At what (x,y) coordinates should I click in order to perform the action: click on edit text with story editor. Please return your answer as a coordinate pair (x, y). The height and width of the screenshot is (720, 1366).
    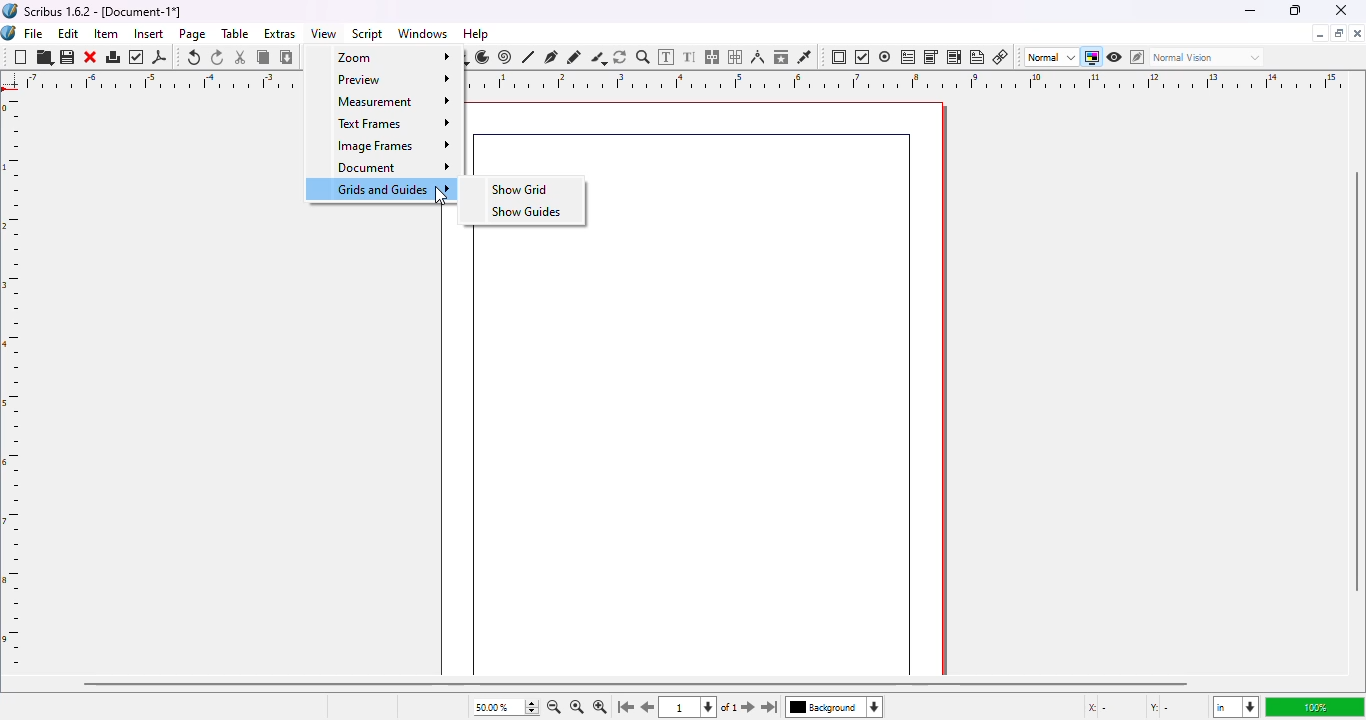
    Looking at the image, I should click on (690, 57).